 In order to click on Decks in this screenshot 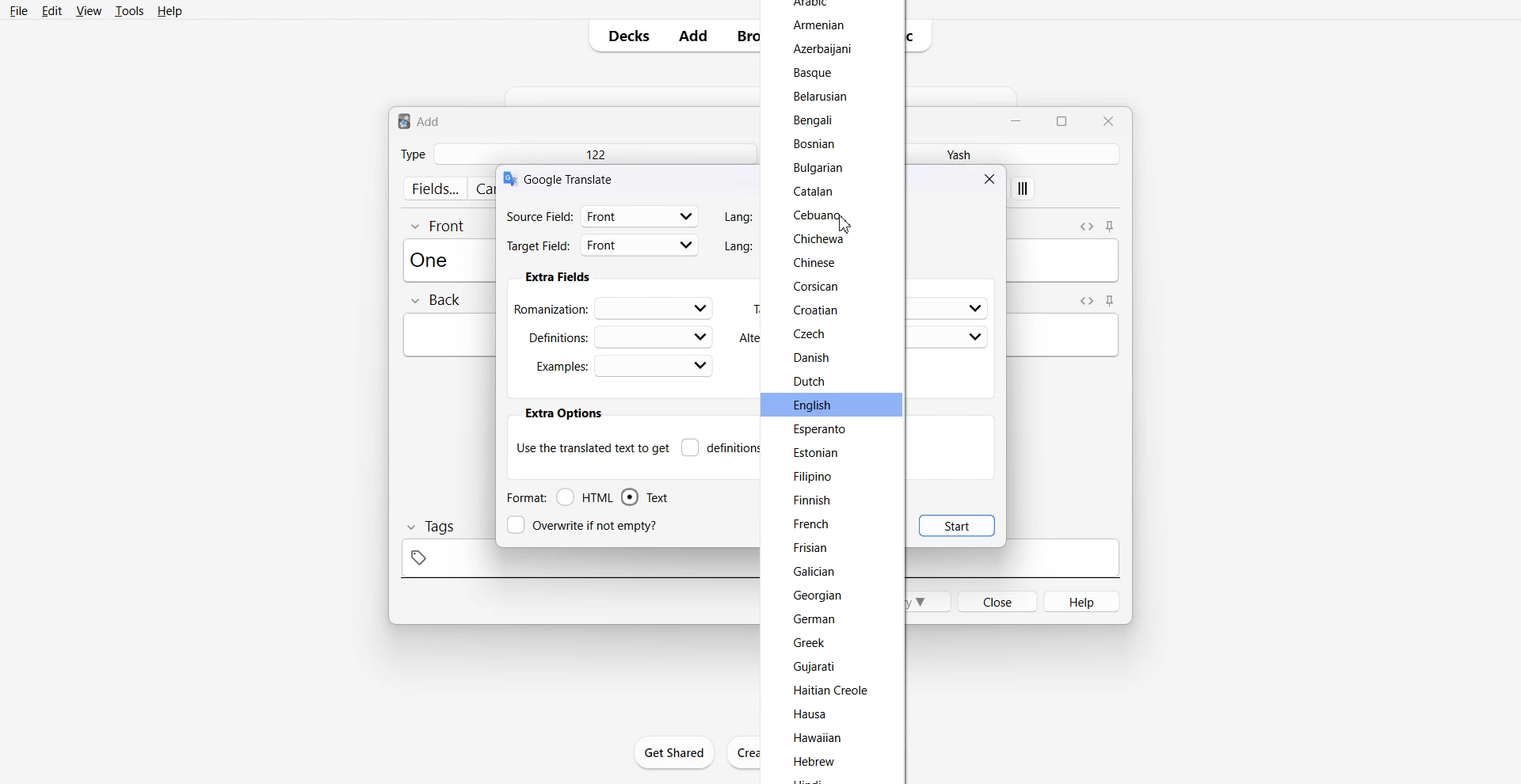, I will do `click(623, 36)`.